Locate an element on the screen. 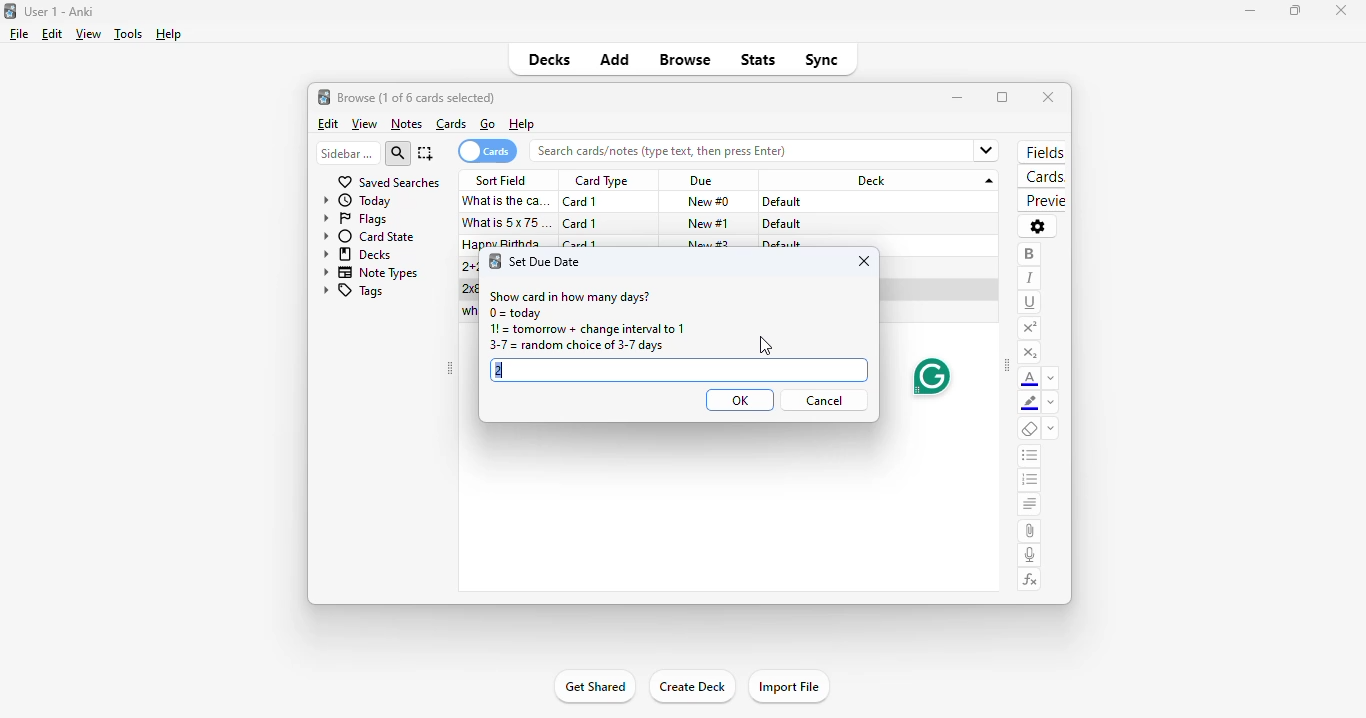  card type is located at coordinates (601, 181).